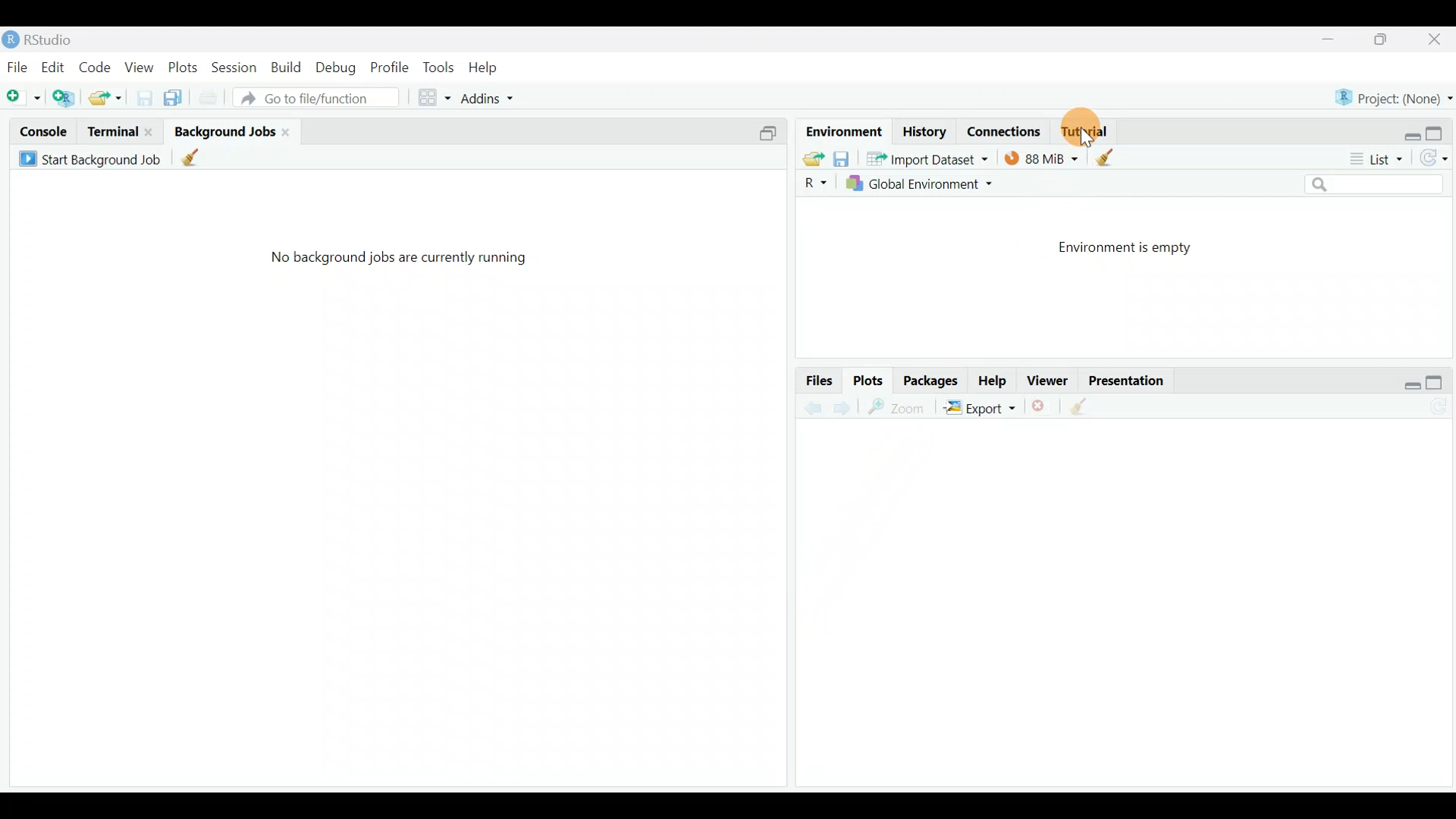  Describe the element at coordinates (1134, 245) in the screenshot. I see `Environment is empty` at that location.